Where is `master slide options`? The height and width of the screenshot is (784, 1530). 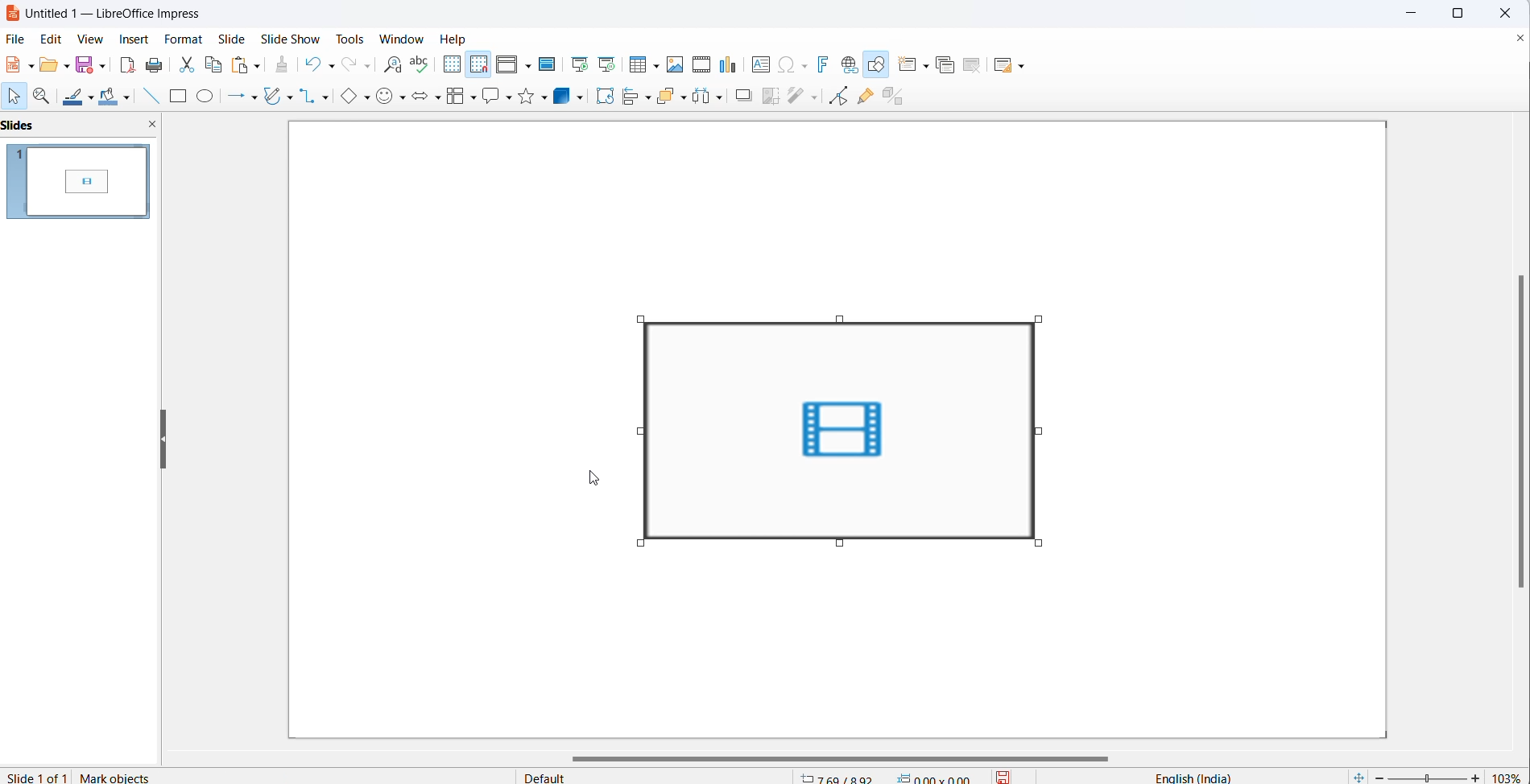
master slide options is located at coordinates (548, 64).